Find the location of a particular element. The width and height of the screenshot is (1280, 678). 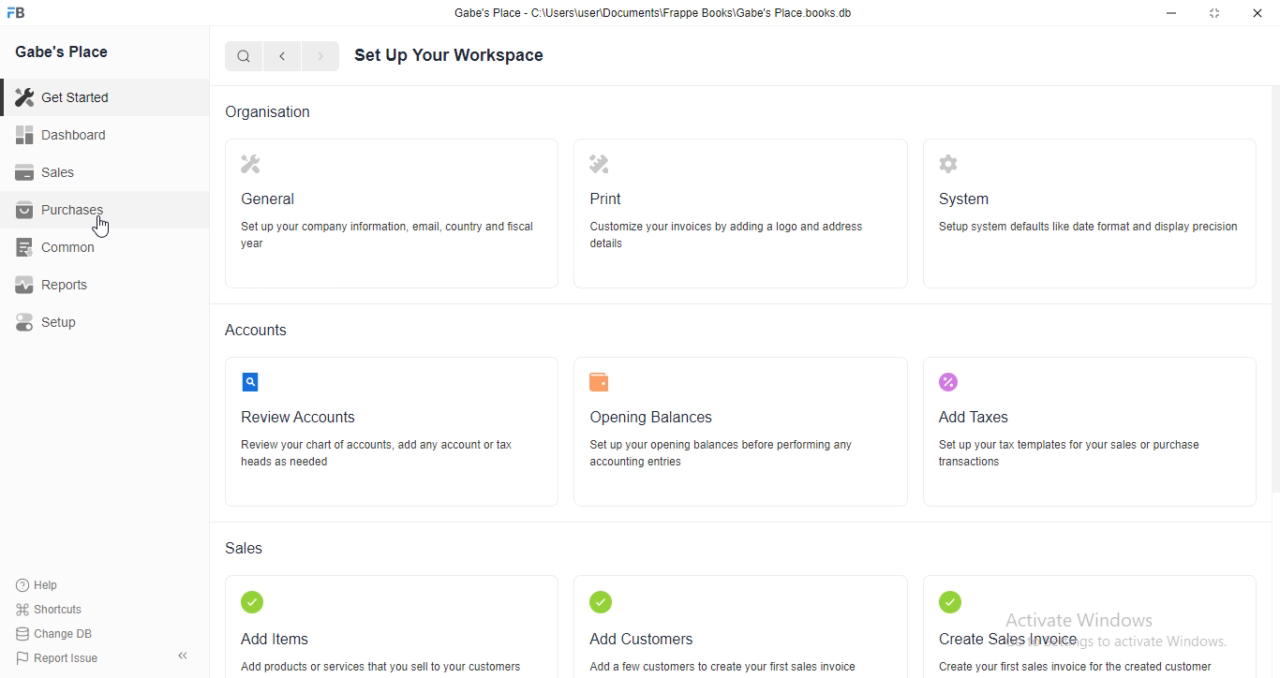

icon is located at coordinates (952, 382).